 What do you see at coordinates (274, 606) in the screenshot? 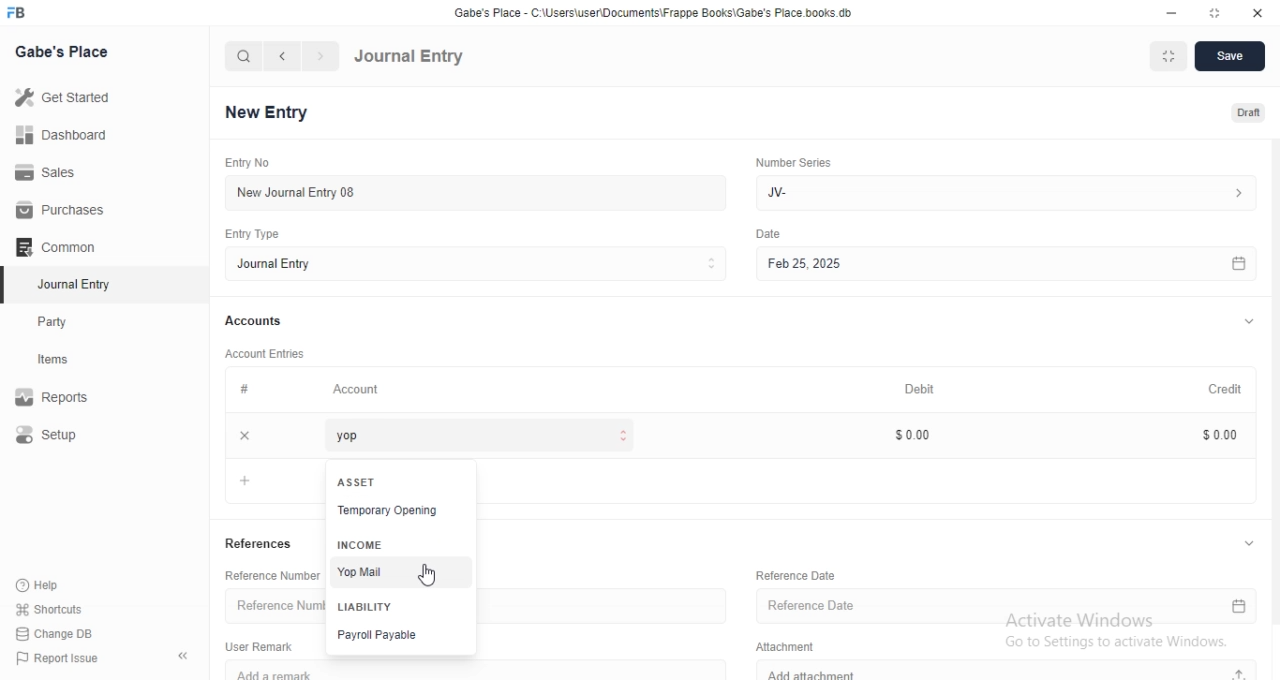
I see `Reference Number` at bounding box center [274, 606].